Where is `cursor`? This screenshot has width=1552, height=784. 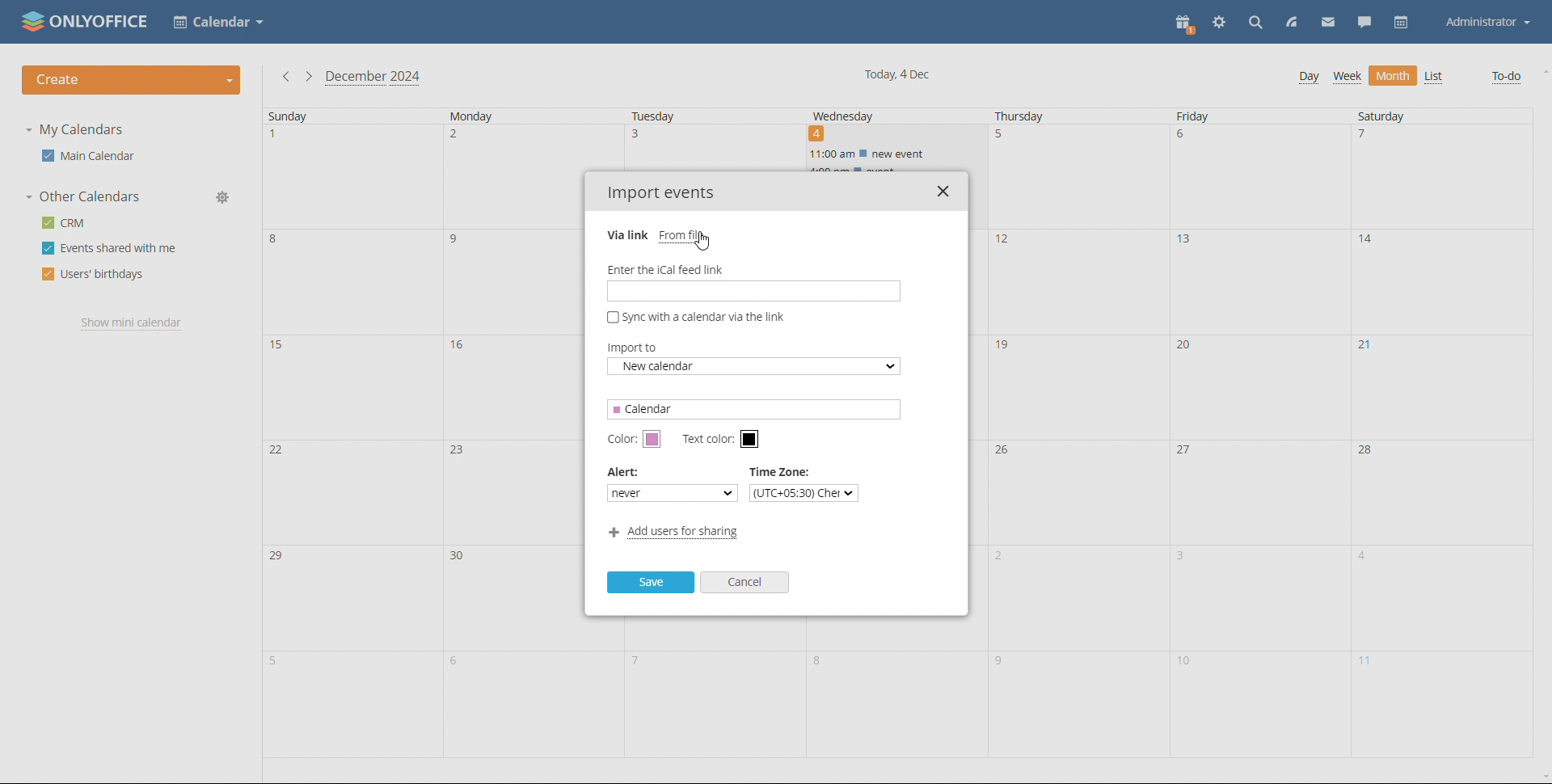 cursor is located at coordinates (704, 243).